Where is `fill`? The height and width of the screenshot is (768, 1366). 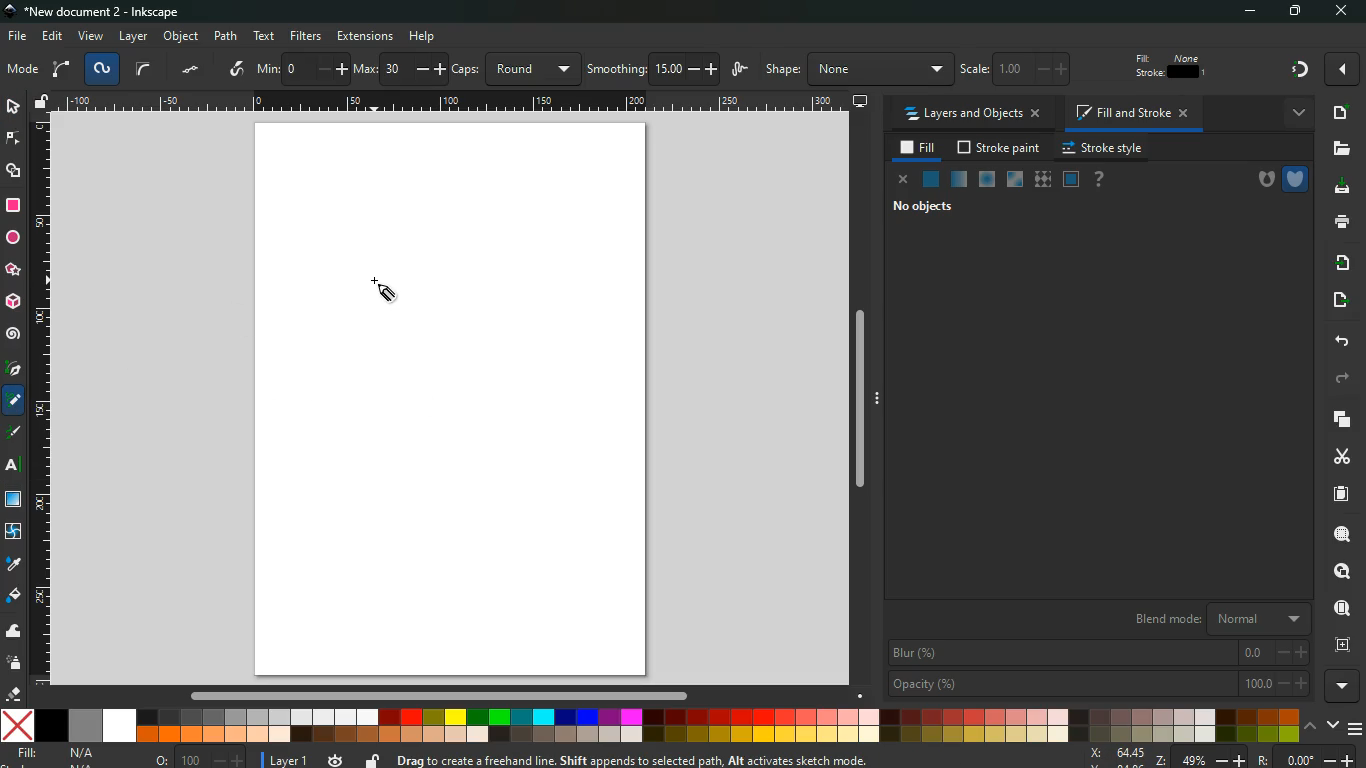 fill is located at coordinates (1171, 66).